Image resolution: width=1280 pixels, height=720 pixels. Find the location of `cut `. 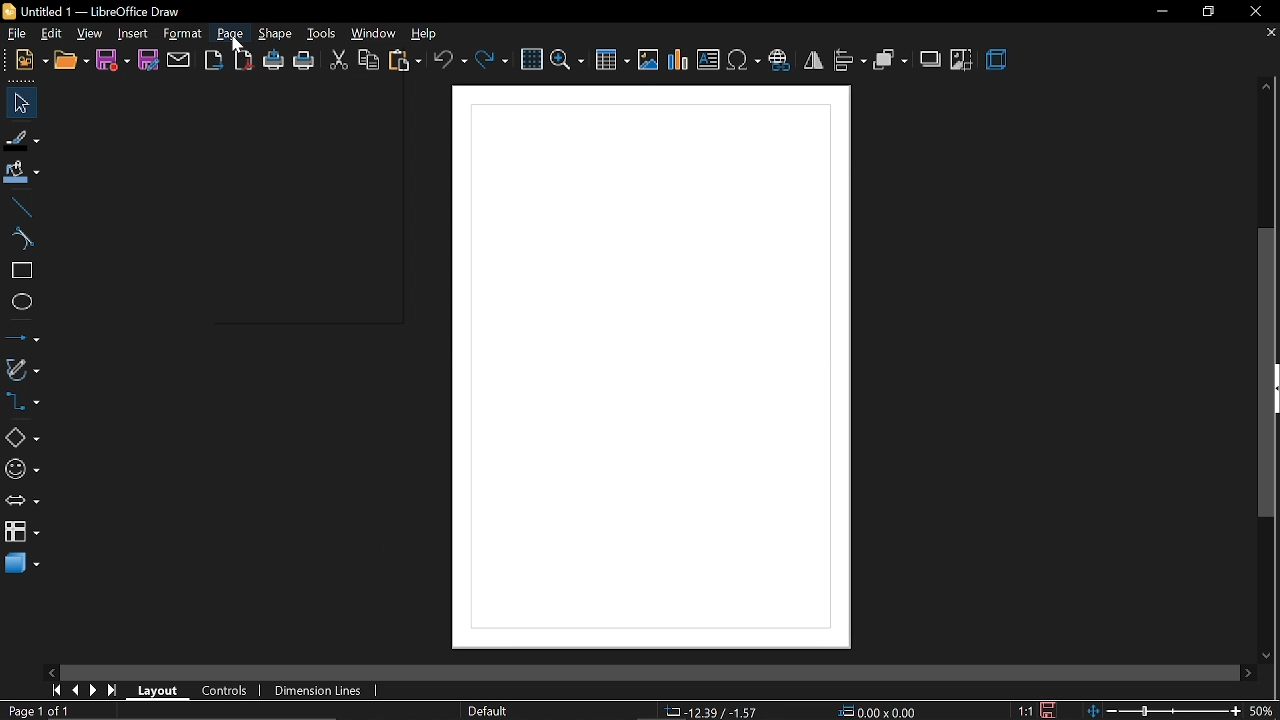

cut  is located at coordinates (336, 61).